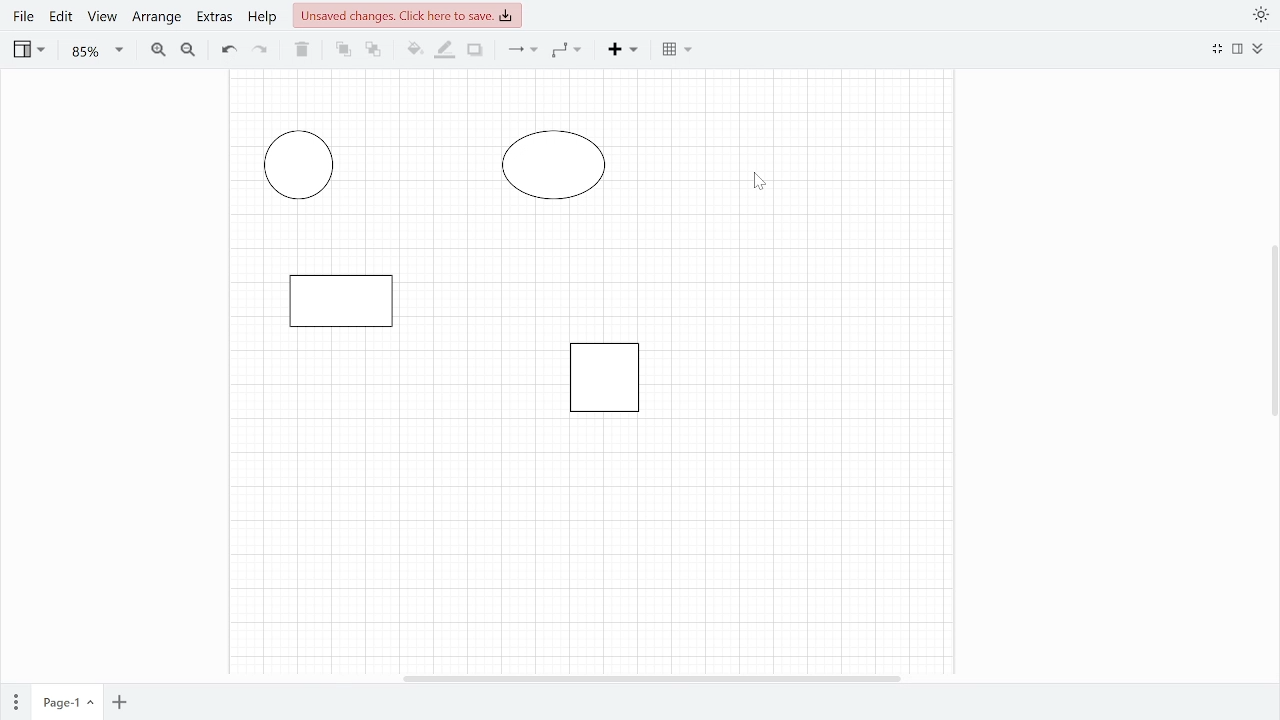 This screenshot has width=1280, height=720. I want to click on Circle, so click(554, 162).